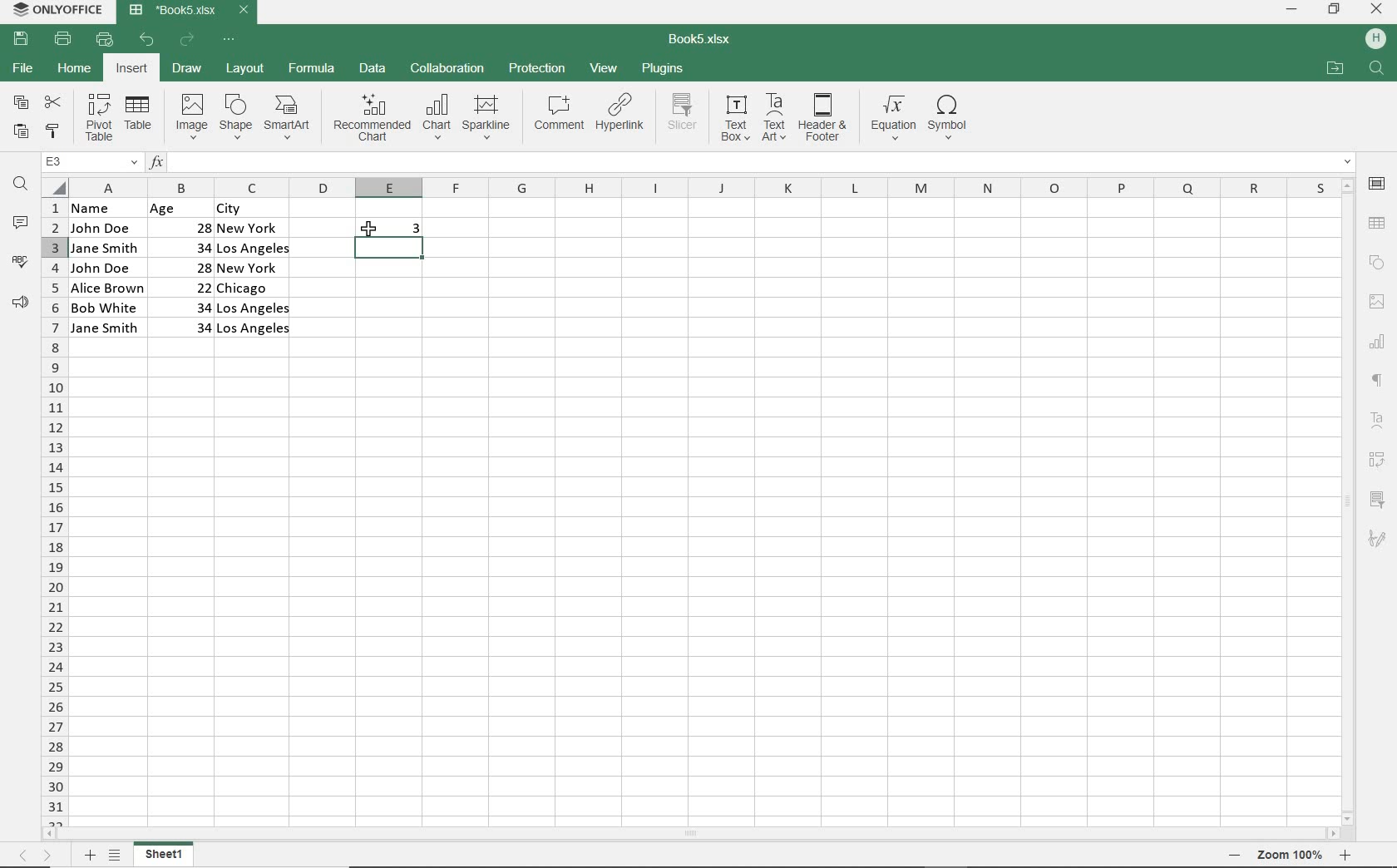 This screenshot has width=1397, height=868. I want to click on INPUT FUNCTION, so click(751, 160).